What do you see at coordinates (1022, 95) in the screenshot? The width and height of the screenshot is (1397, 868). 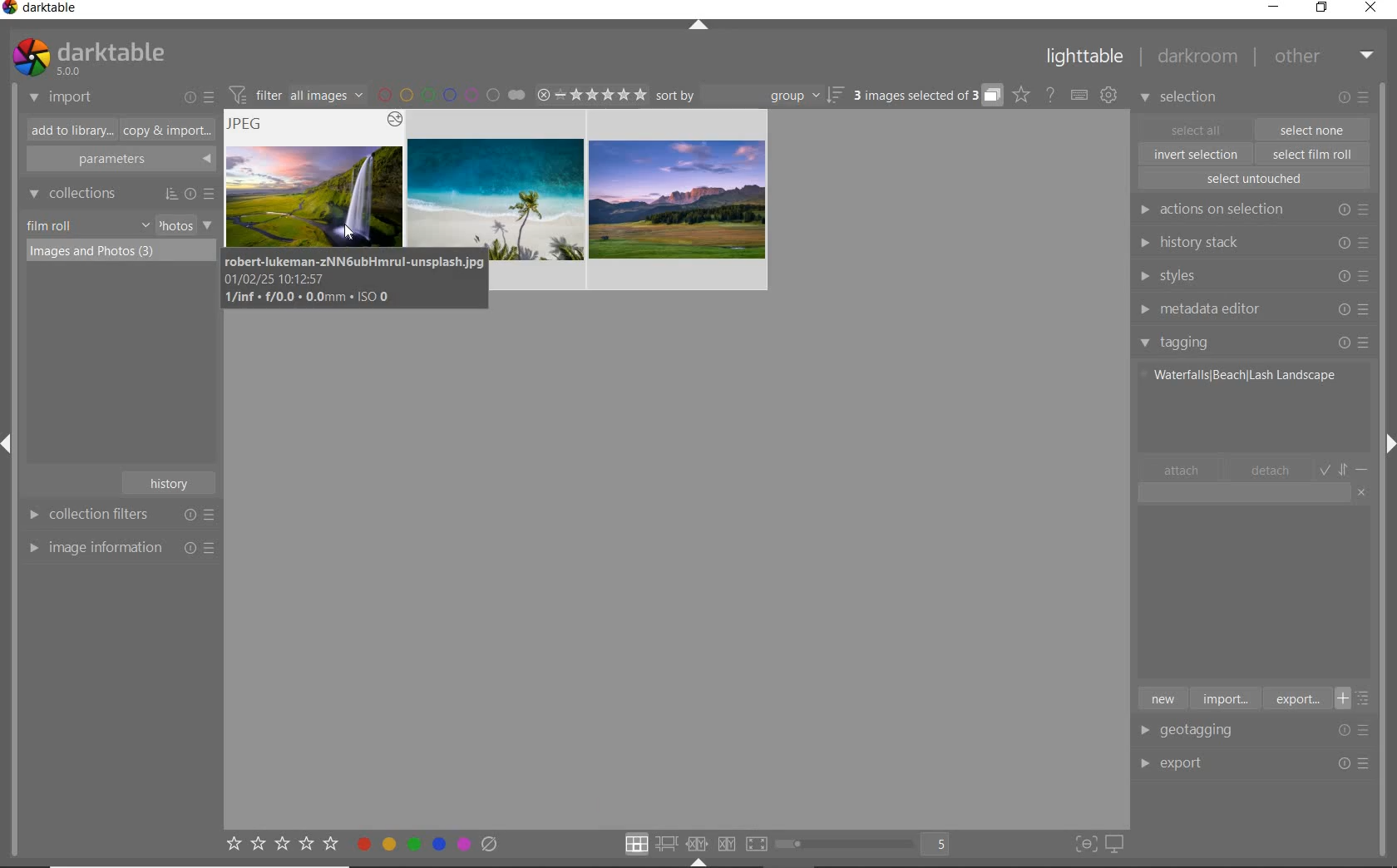 I see `click to change the type of overlay shown on thumbnails` at bounding box center [1022, 95].